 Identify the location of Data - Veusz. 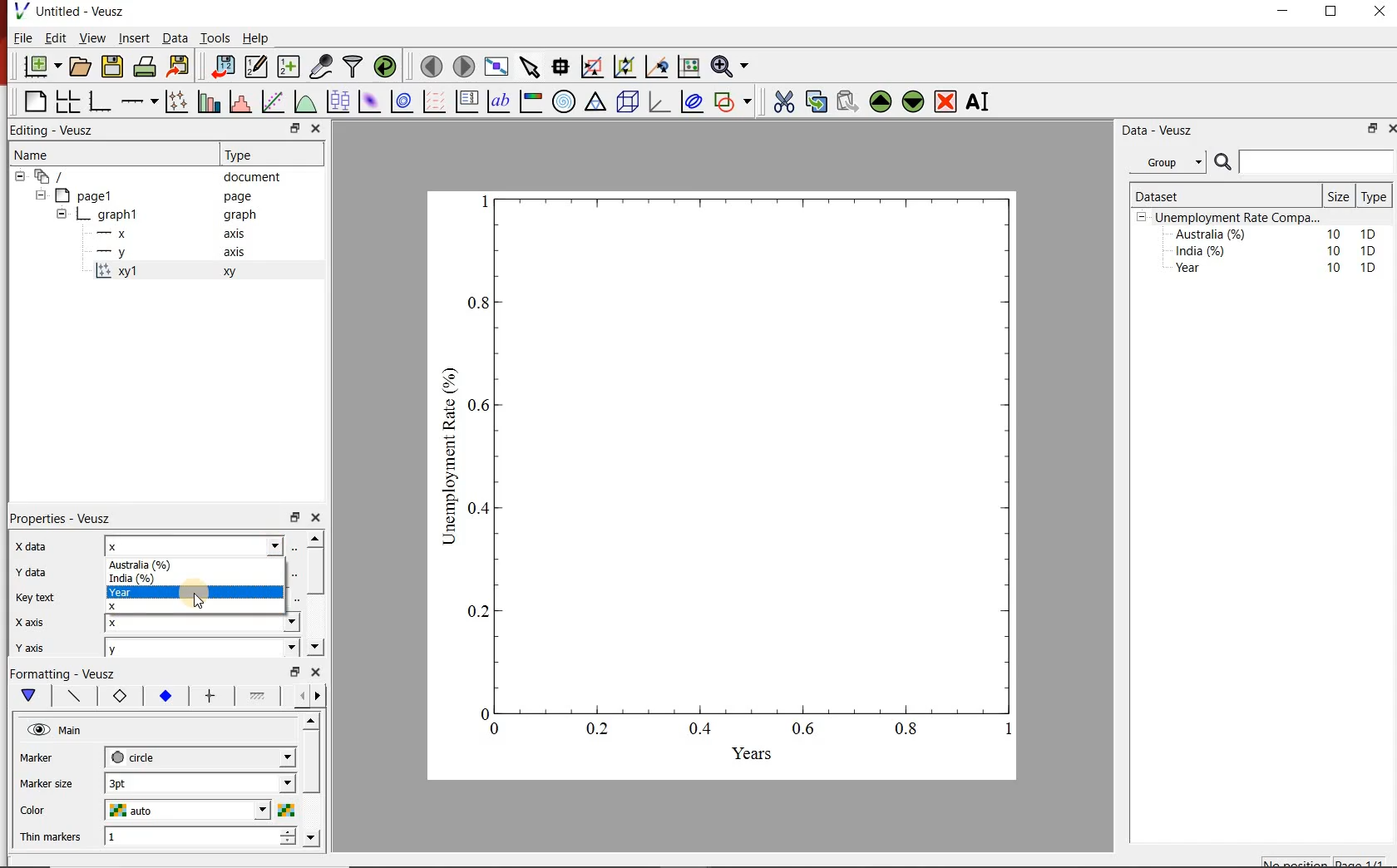
(1173, 131).